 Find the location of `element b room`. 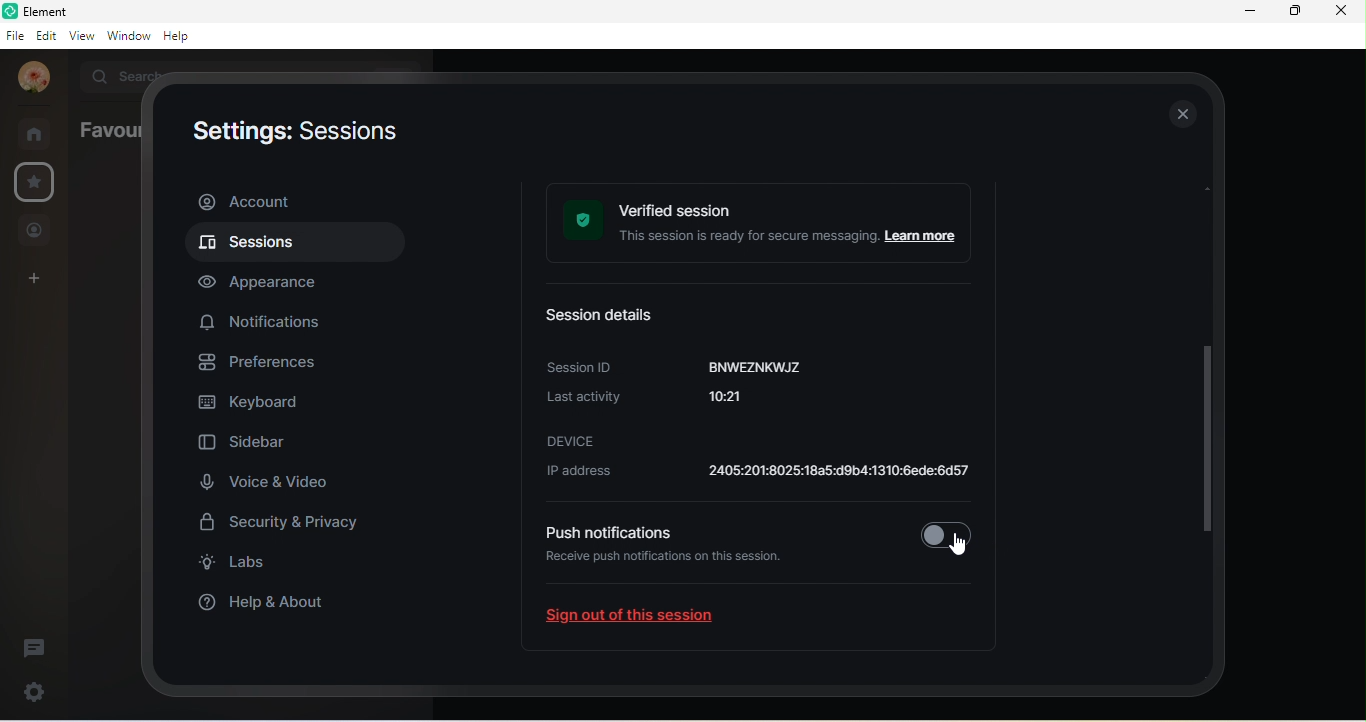

element b room is located at coordinates (76, 11).